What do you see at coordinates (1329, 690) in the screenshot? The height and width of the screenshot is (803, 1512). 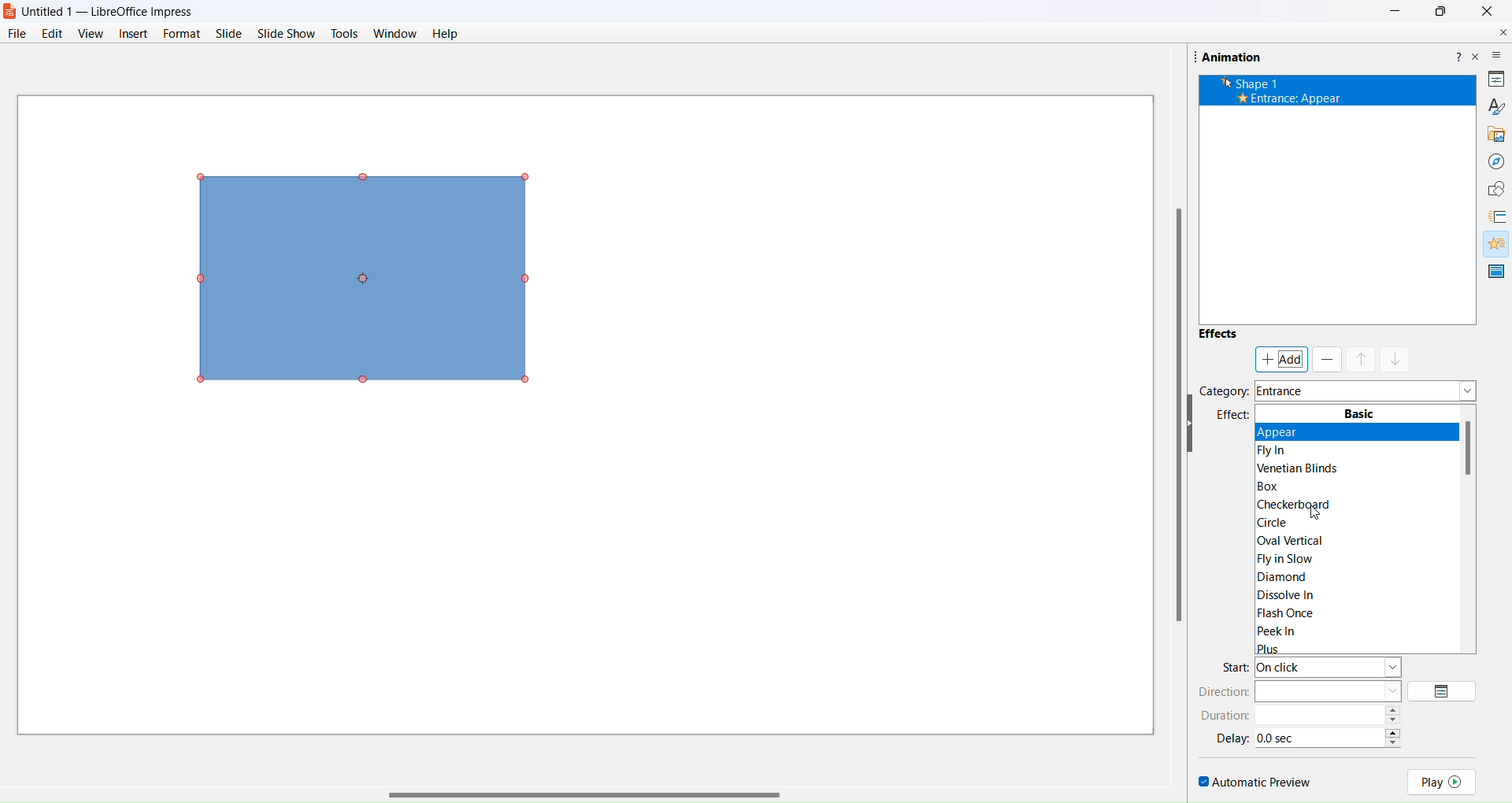 I see `direction type` at bounding box center [1329, 690].